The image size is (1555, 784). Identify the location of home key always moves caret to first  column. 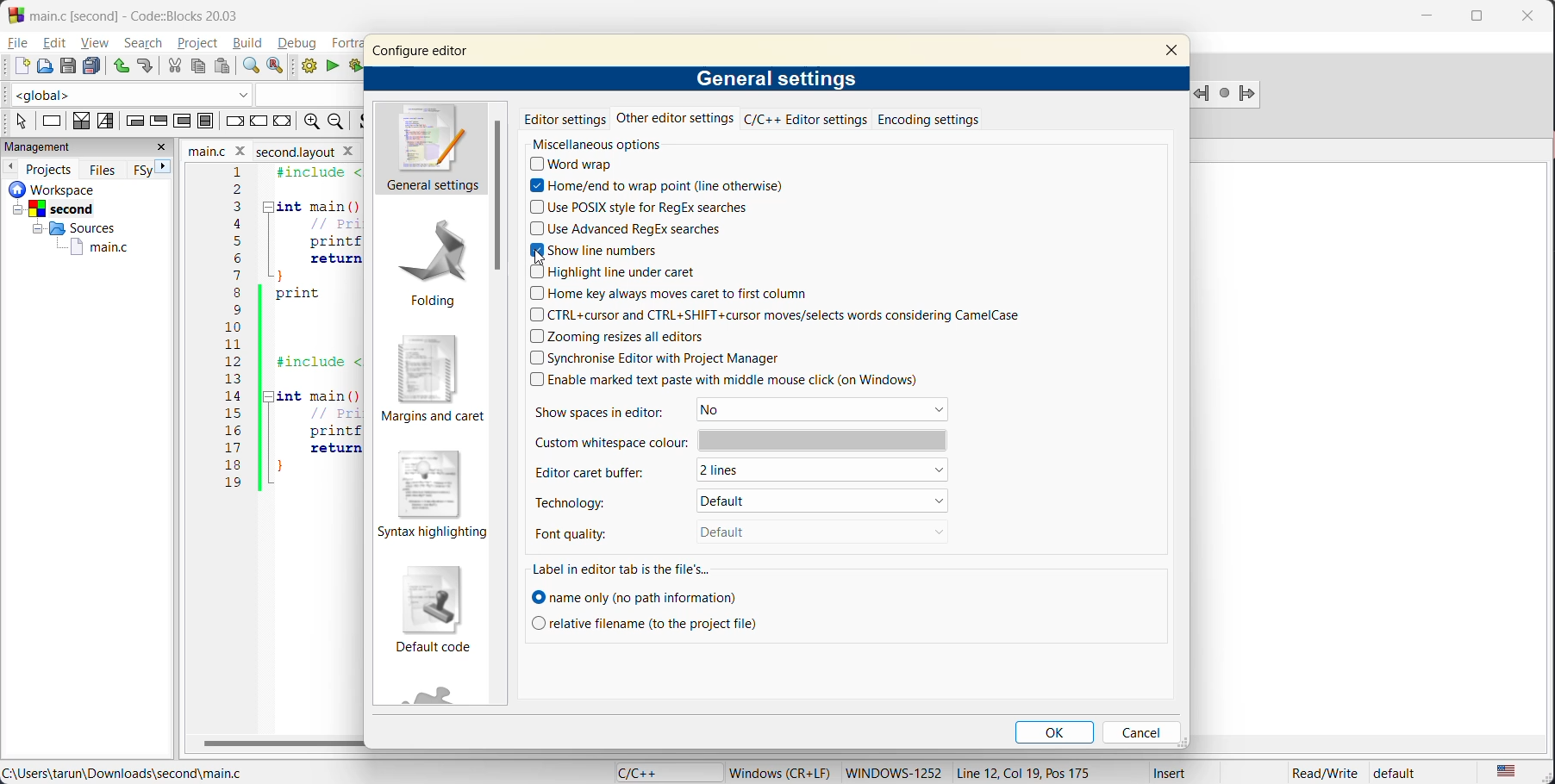
(677, 296).